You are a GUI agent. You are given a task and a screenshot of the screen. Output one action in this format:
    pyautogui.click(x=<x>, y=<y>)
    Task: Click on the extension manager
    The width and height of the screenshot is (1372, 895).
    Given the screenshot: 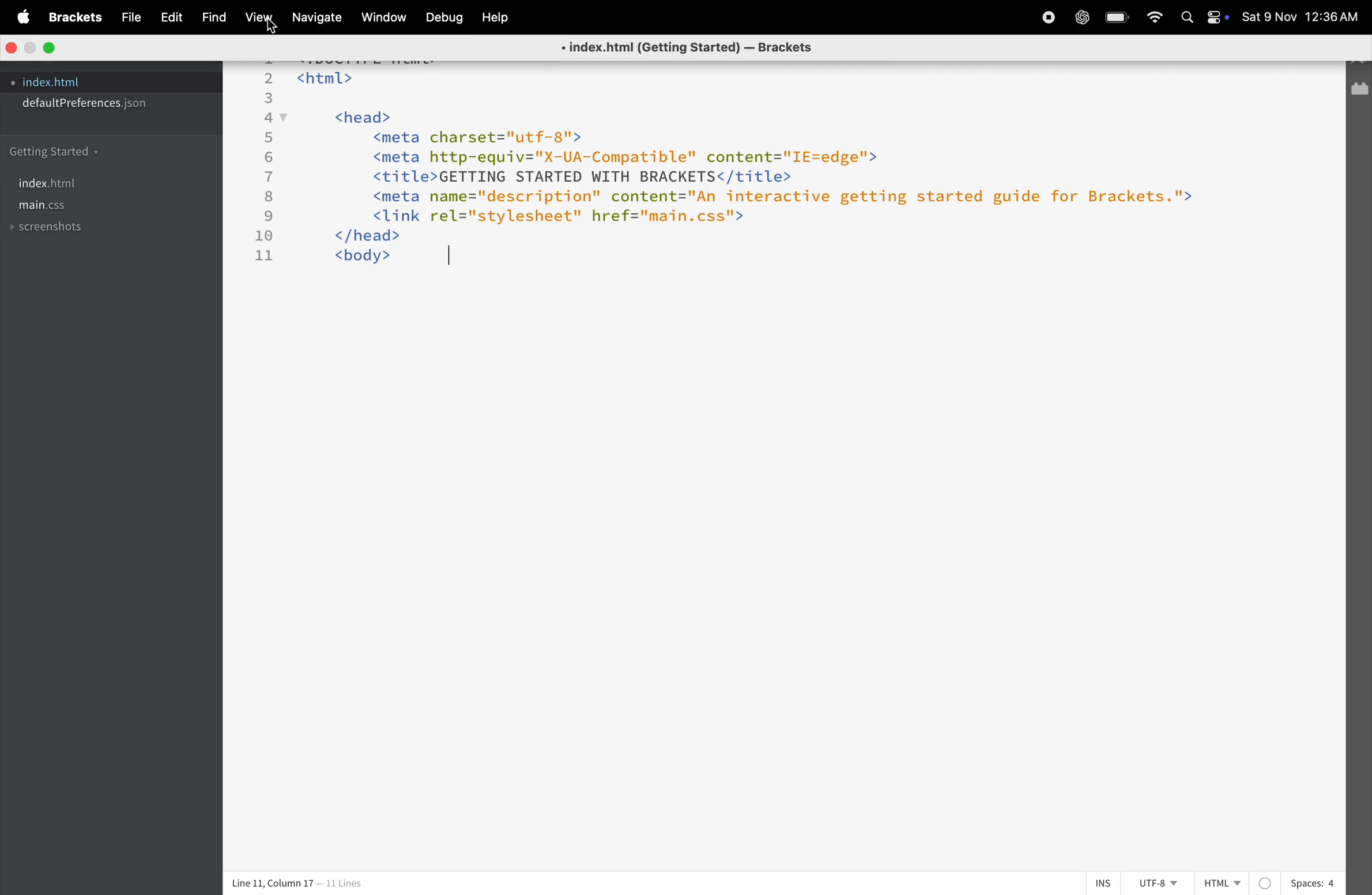 What is the action you would take?
    pyautogui.click(x=1359, y=89)
    